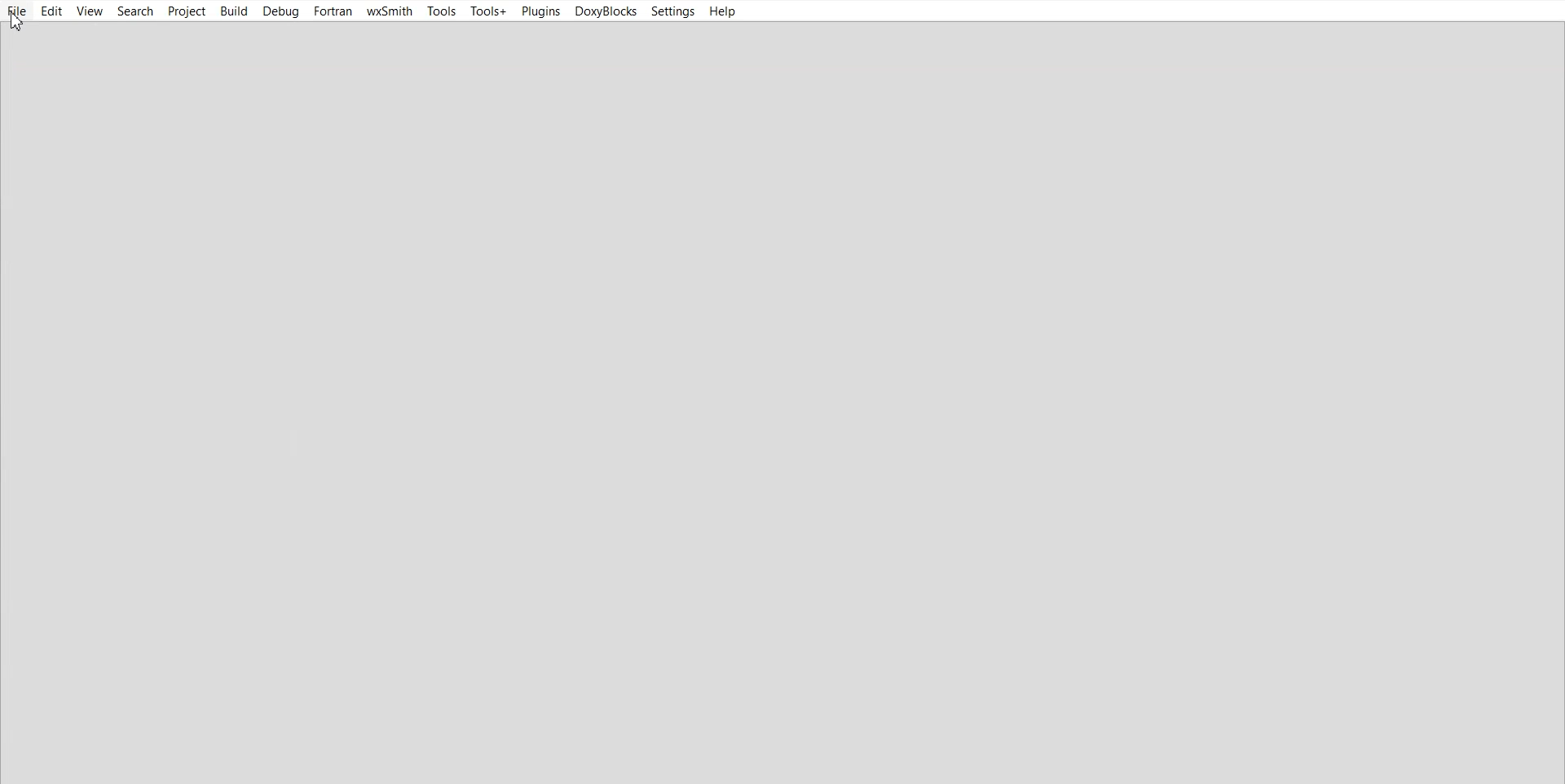  I want to click on Settings, so click(672, 11).